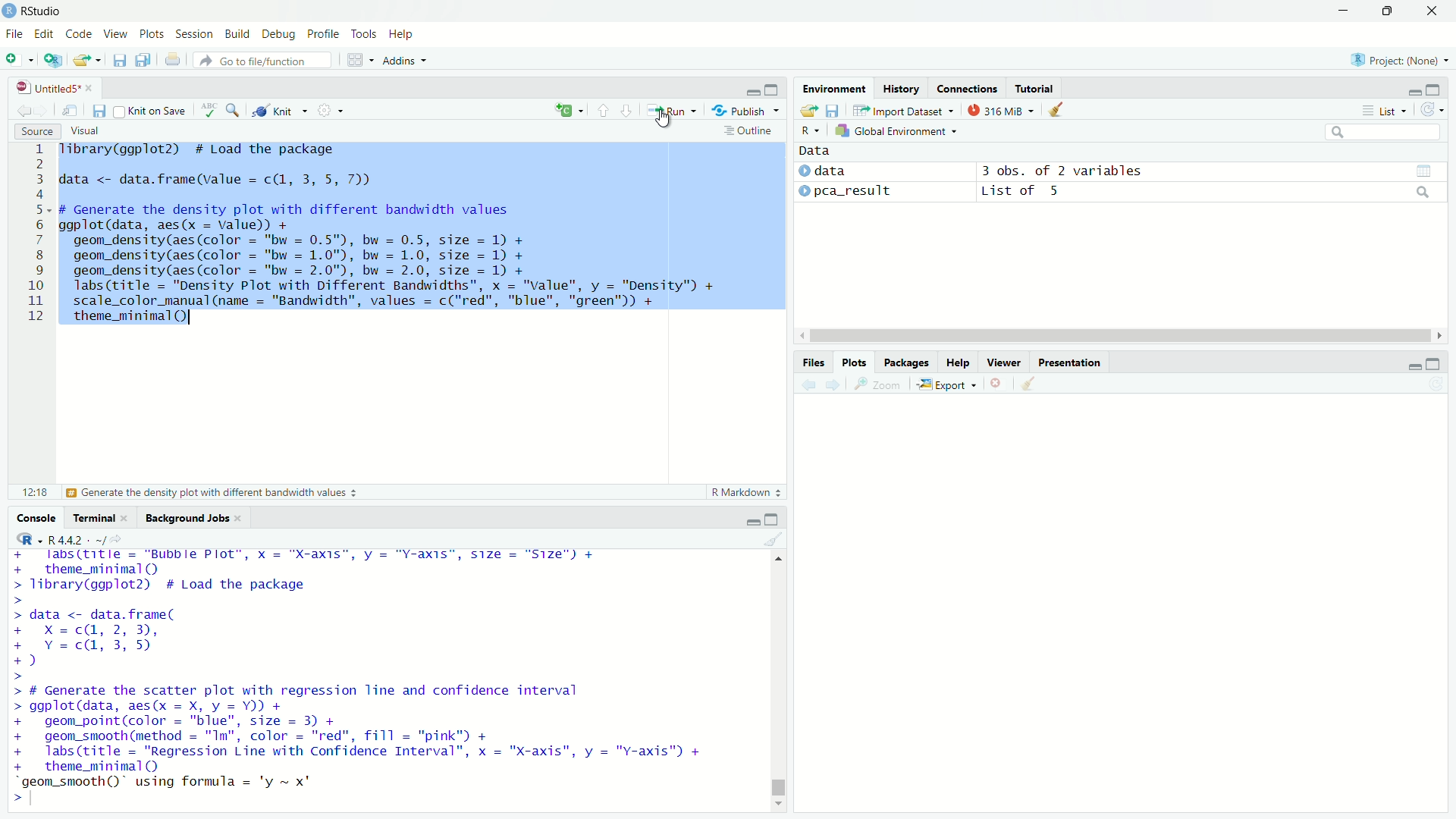 The image size is (1456, 819). Describe the element at coordinates (803, 171) in the screenshot. I see `expand/collapse` at that location.